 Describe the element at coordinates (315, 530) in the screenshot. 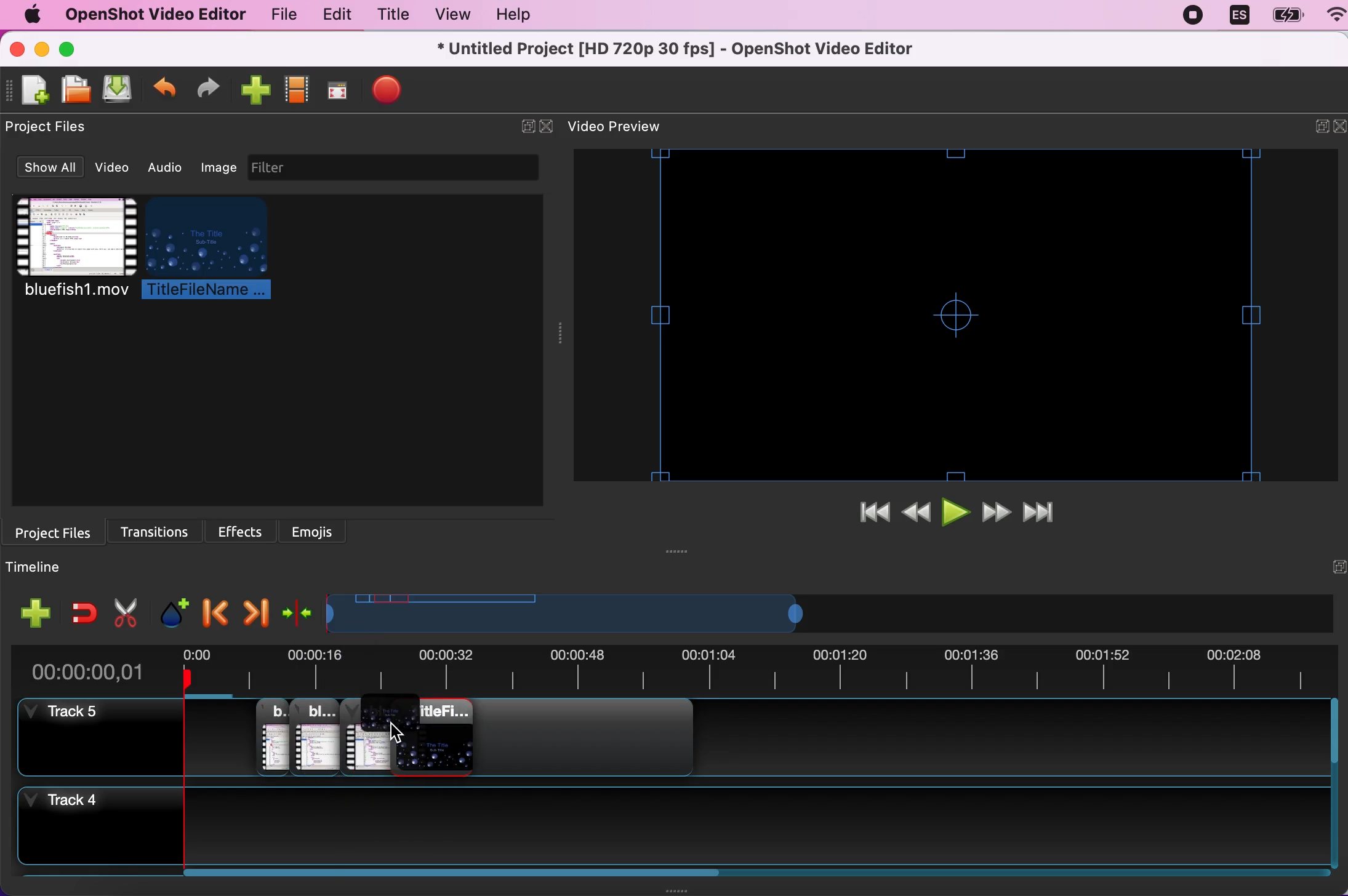

I see `emojis` at that location.